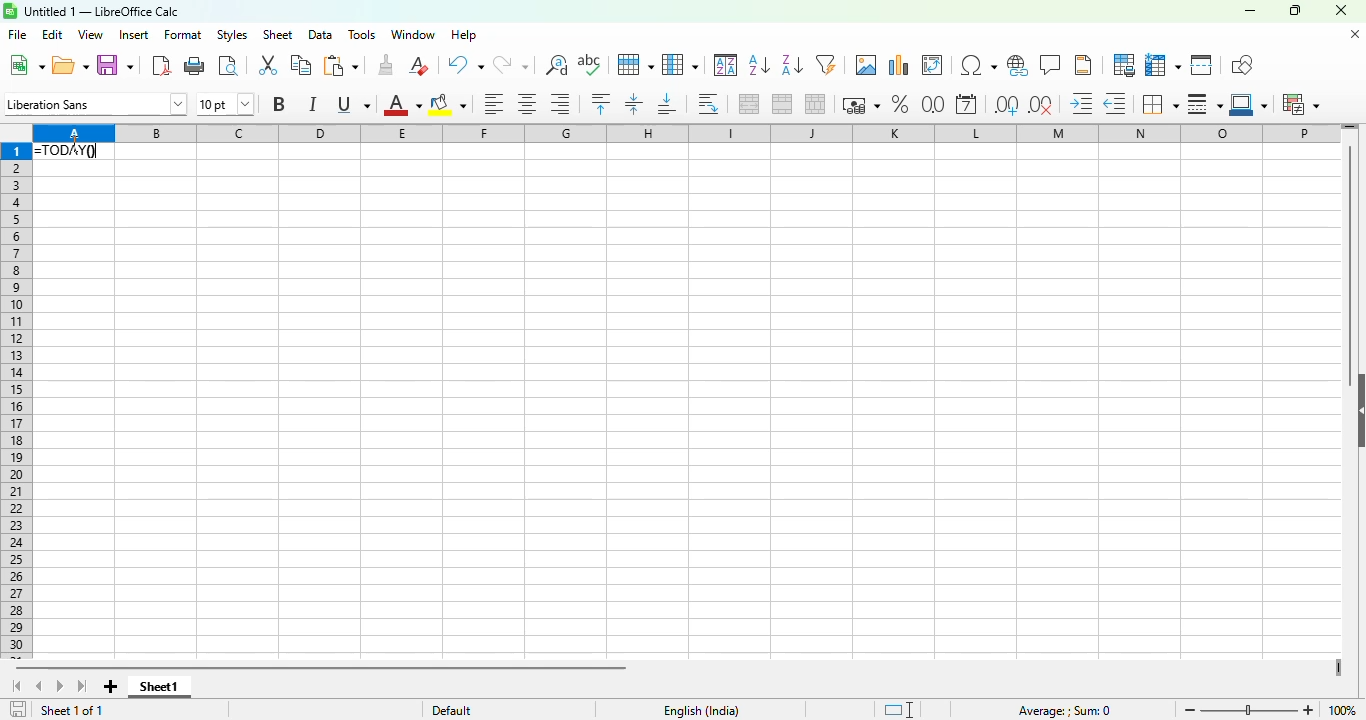 The image size is (1366, 720). I want to click on insert, so click(134, 34).